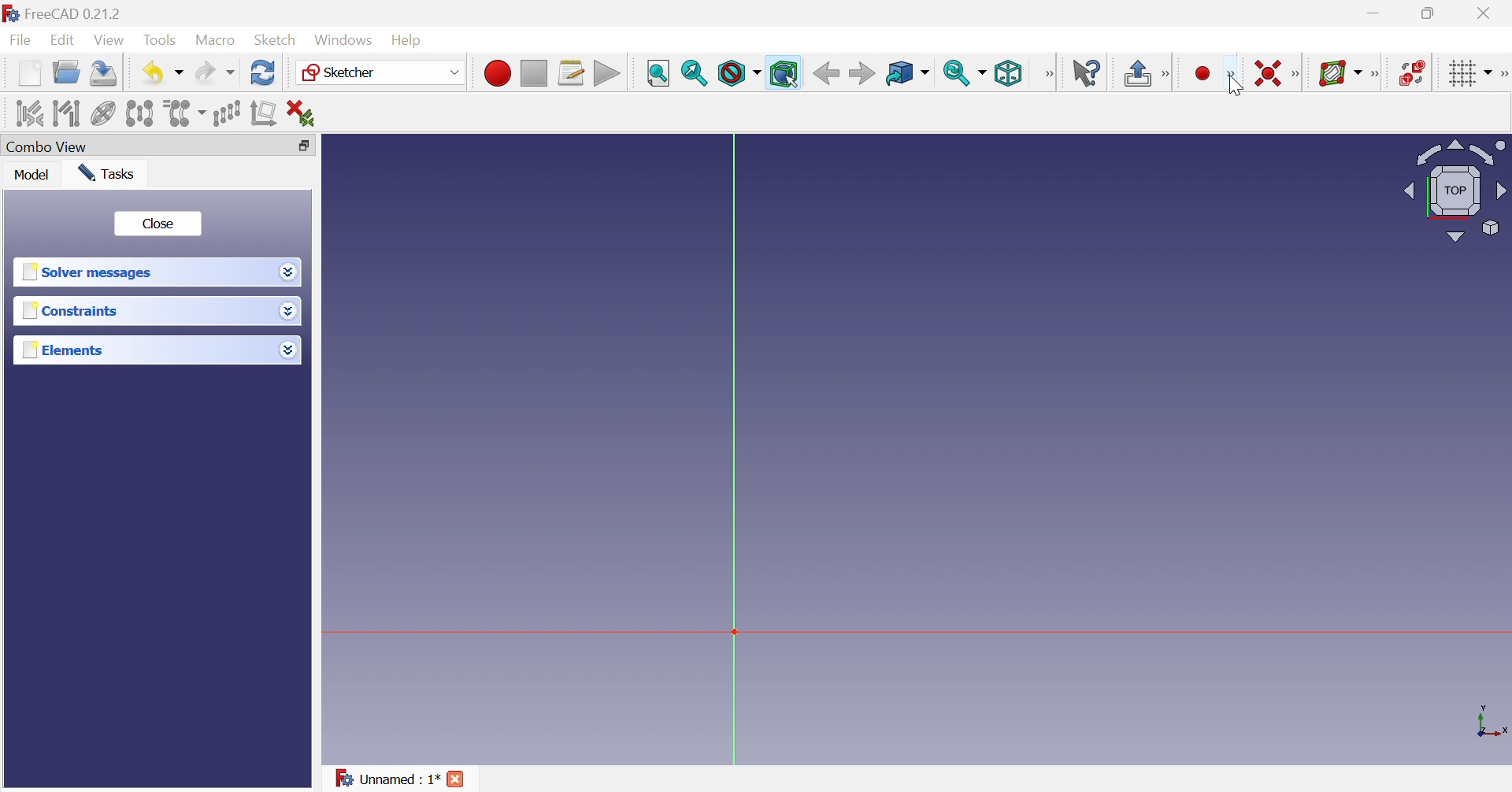 The image size is (1512, 792). What do you see at coordinates (1377, 76) in the screenshot?
I see `[Sketcher B-spline tools]` at bounding box center [1377, 76].